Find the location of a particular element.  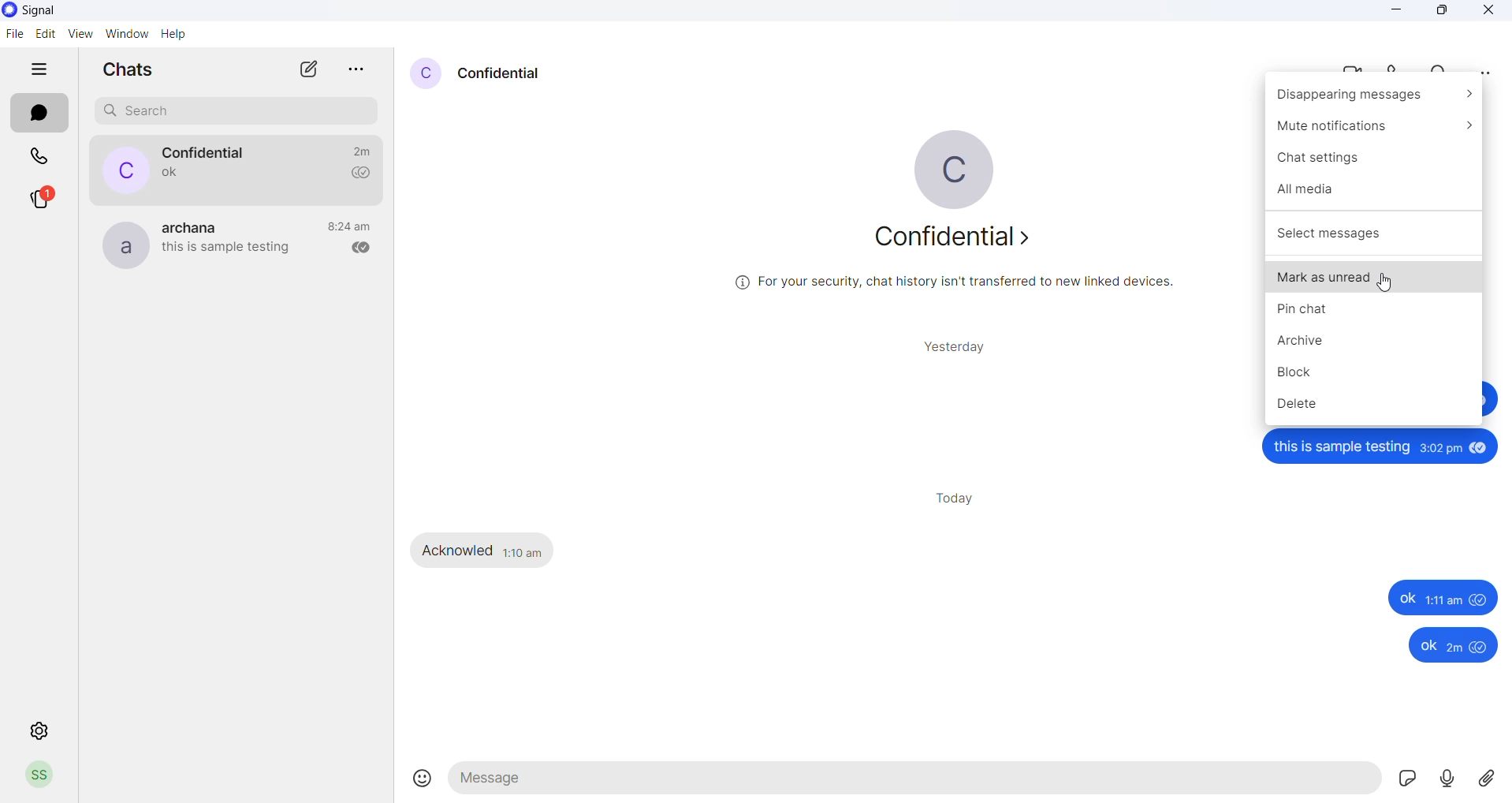

share attachment is located at coordinates (1490, 779).